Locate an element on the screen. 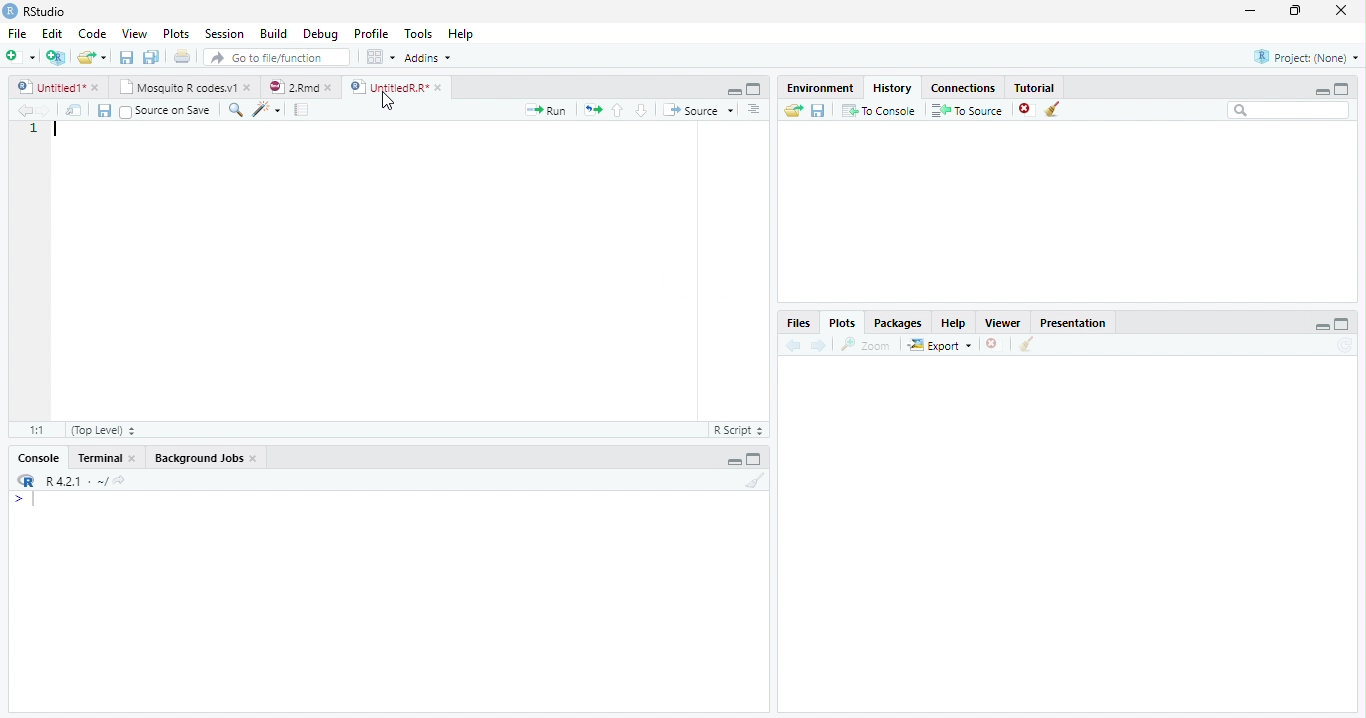 The width and height of the screenshot is (1366, 718). close is located at coordinates (1341, 10).